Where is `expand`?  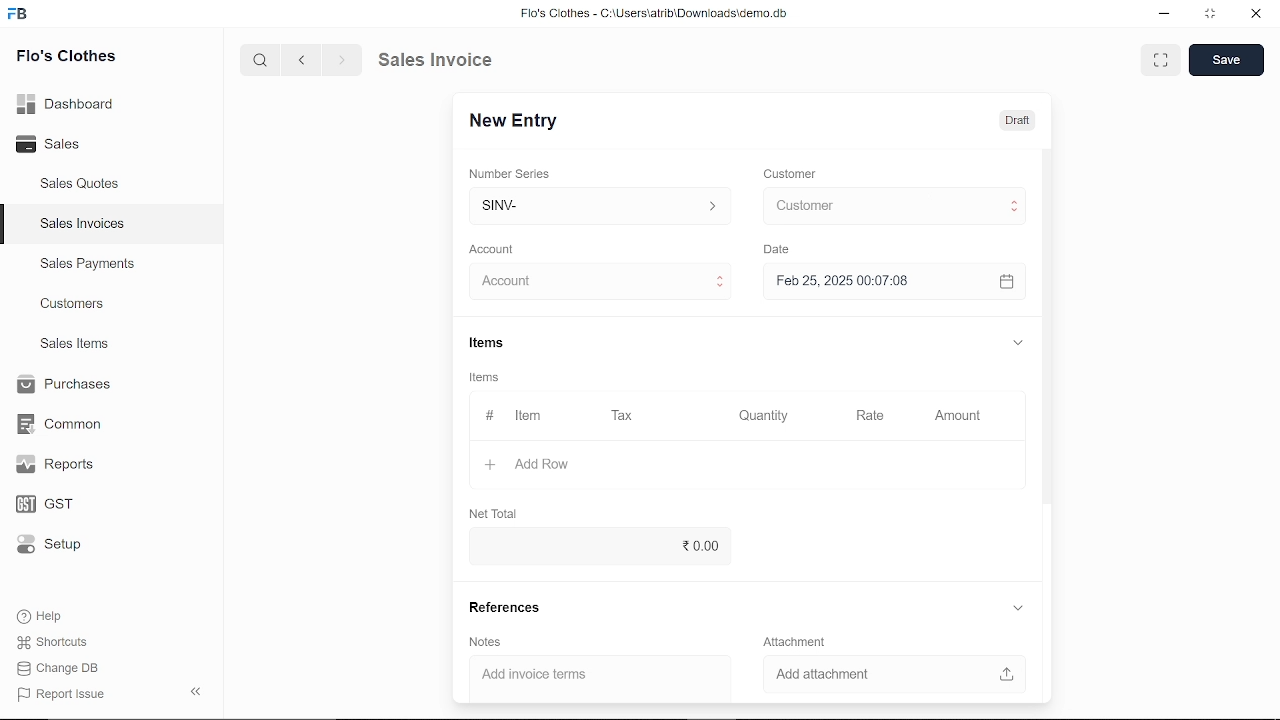
expand is located at coordinates (1162, 60).